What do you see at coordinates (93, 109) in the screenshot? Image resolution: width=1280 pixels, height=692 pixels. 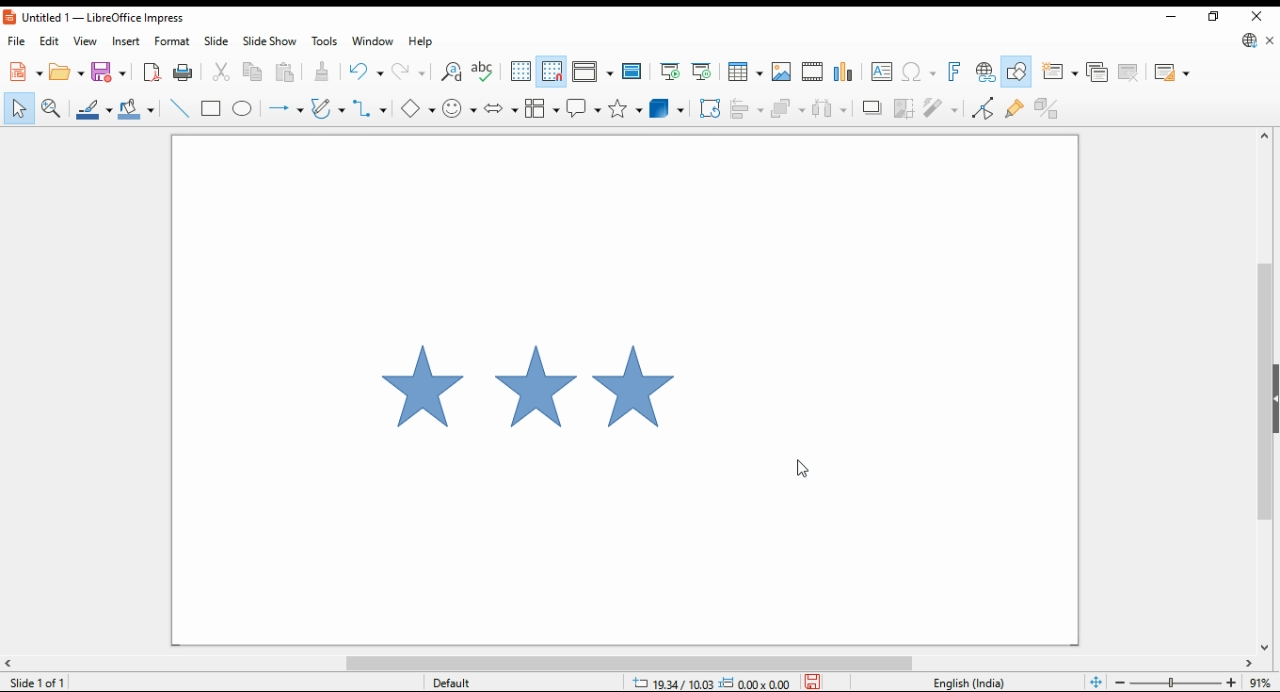 I see `line color` at bounding box center [93, 109].